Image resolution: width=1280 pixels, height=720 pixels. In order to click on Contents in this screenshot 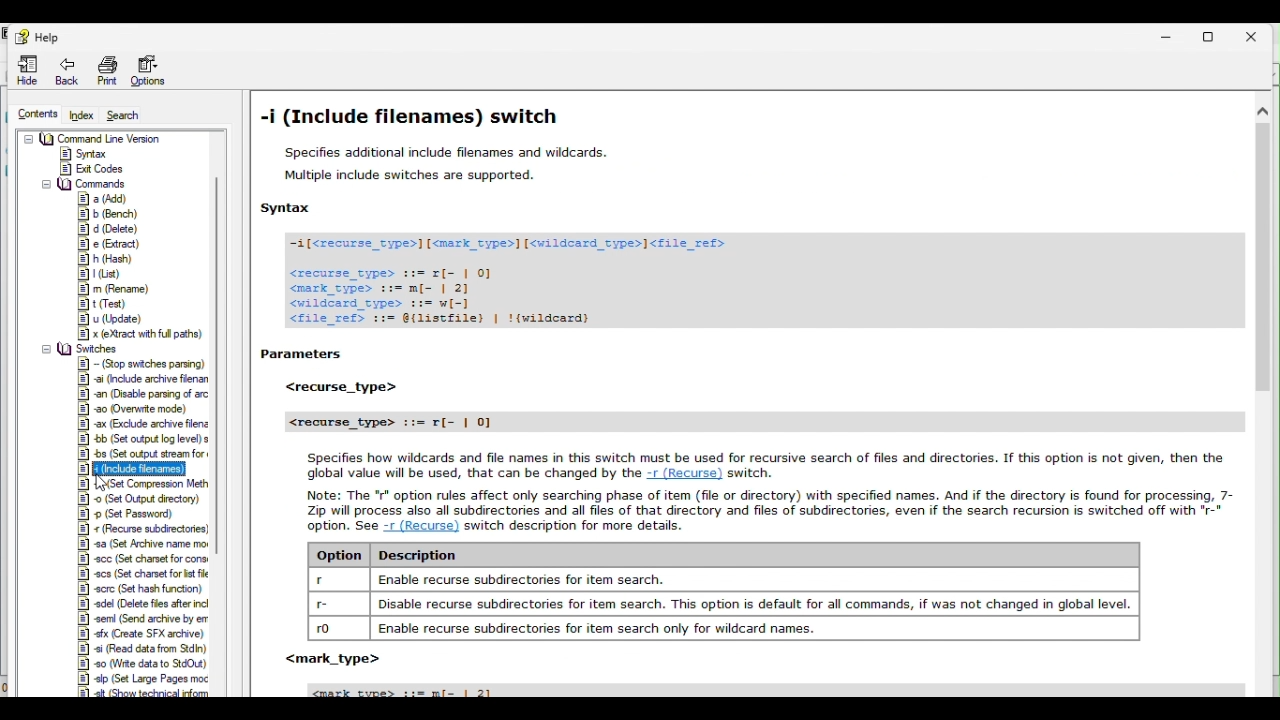, I will do `click(34, 114)`.